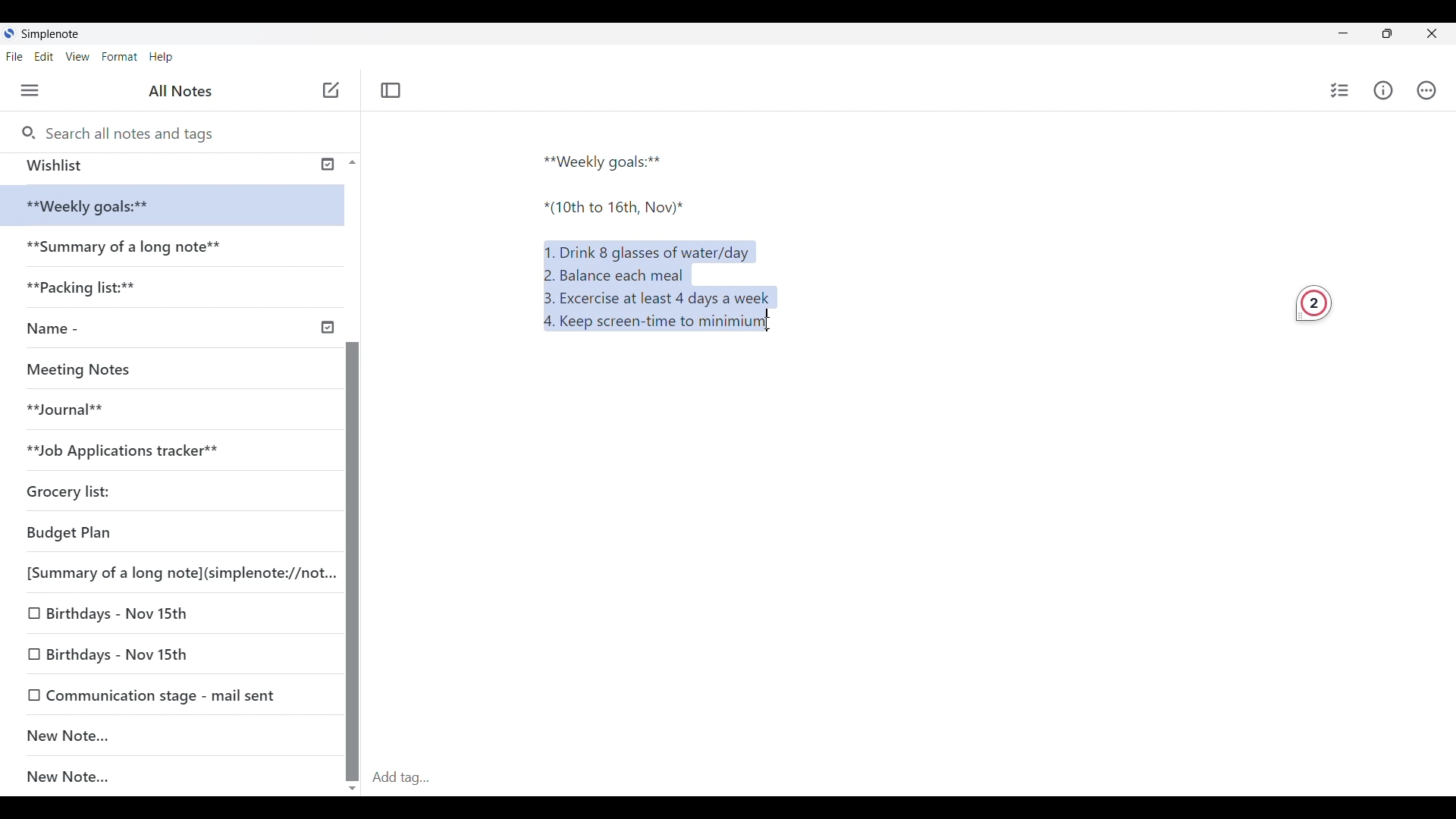 This screenshot has height=819, width=1456. I want to click on Birthdays - Nov 15th, so click(153, 616).